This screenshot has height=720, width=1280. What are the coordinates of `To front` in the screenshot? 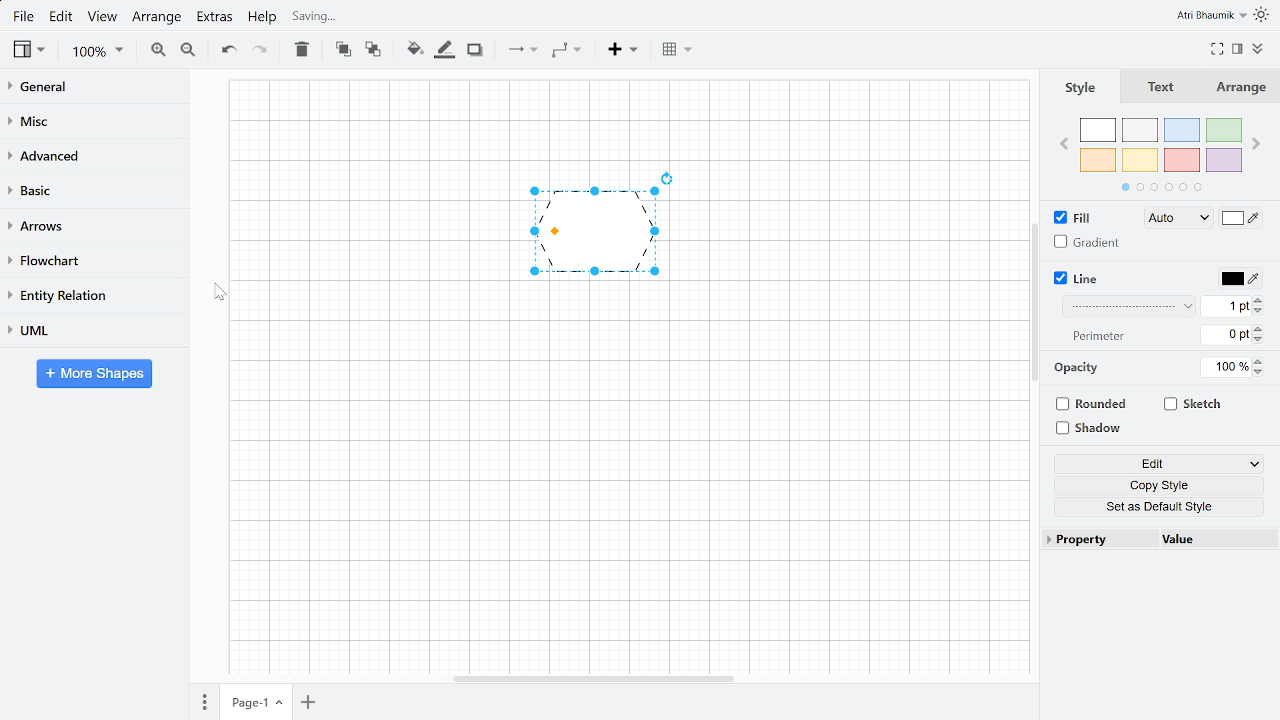 It's located at (343, 51).